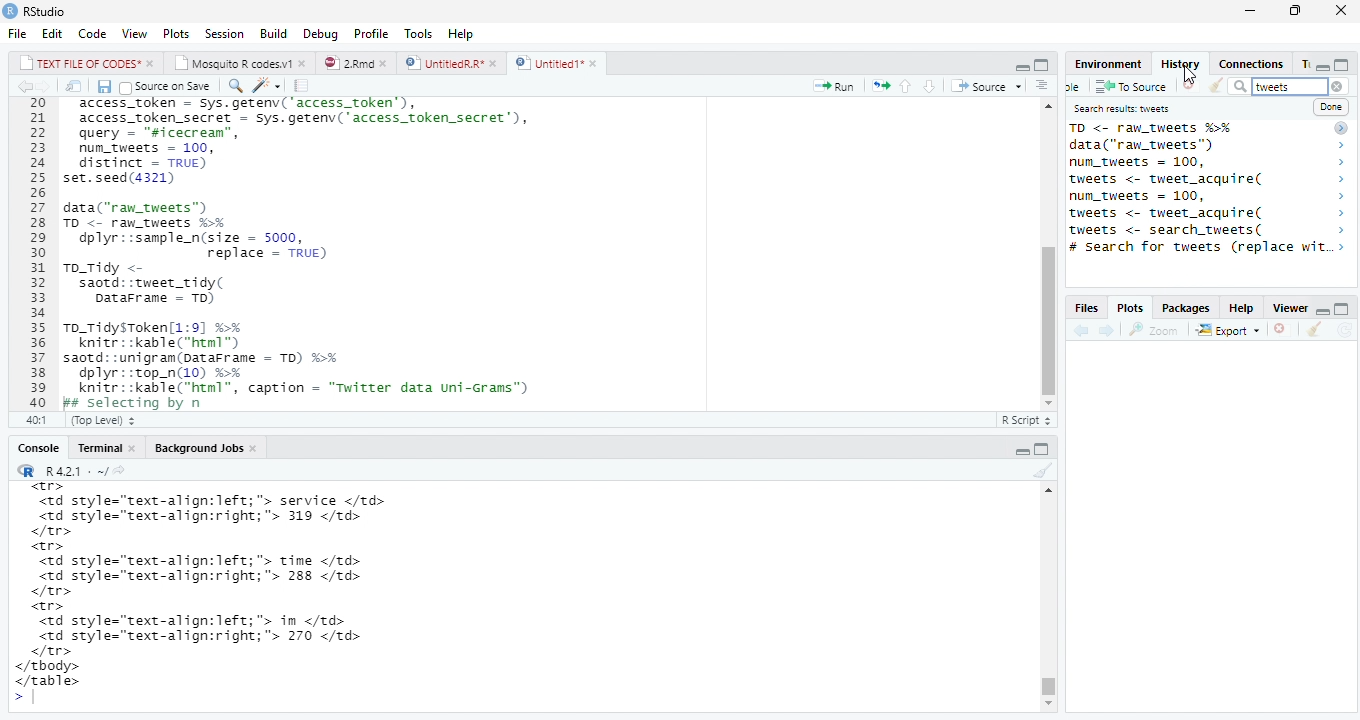 This screenshot has width=1360, height=720. Describe the element at coordinates (833, 85) in the screenshot. I see `Run` at that location.